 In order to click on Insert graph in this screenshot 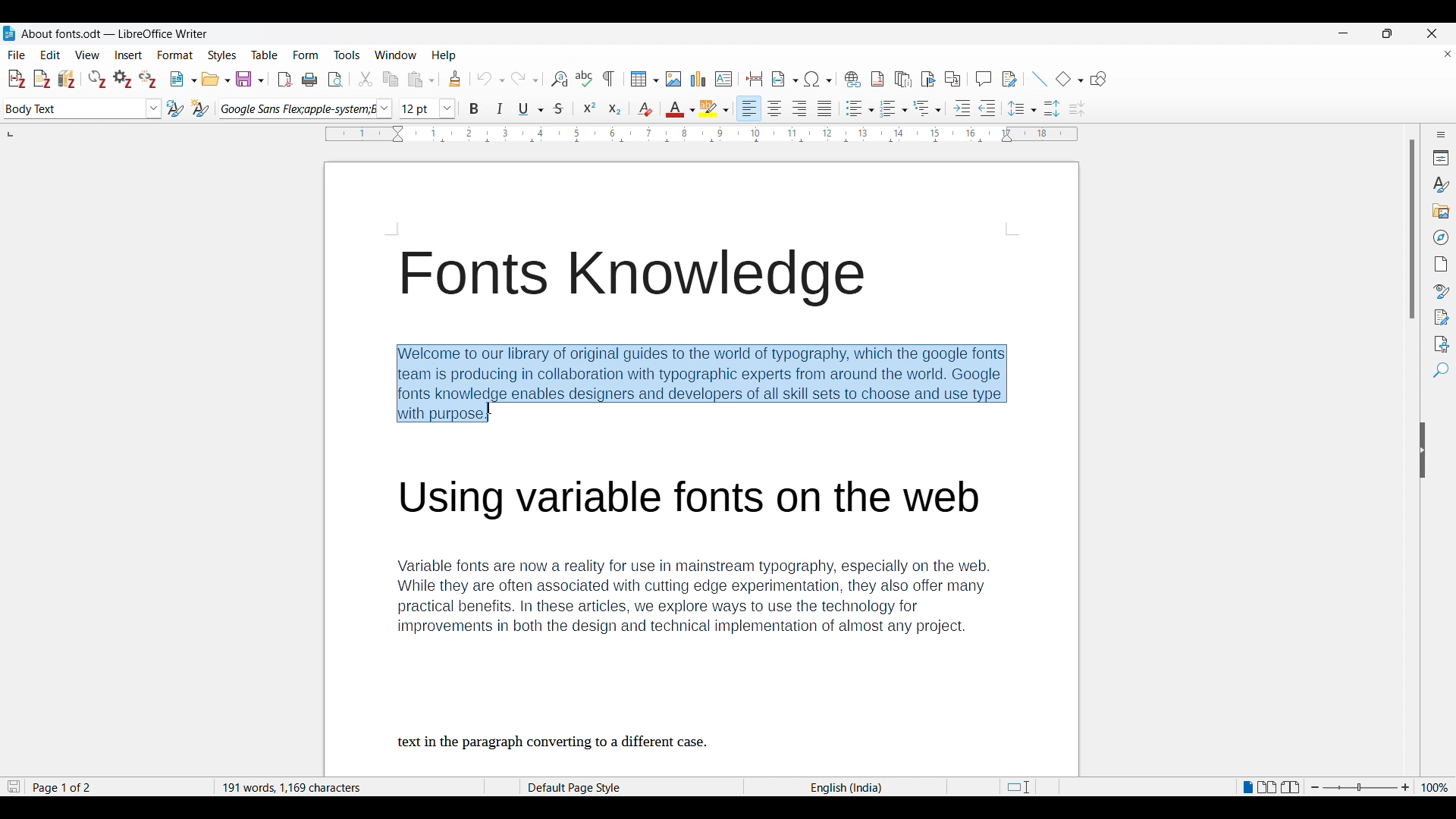, I will do `click(698, 78)`.